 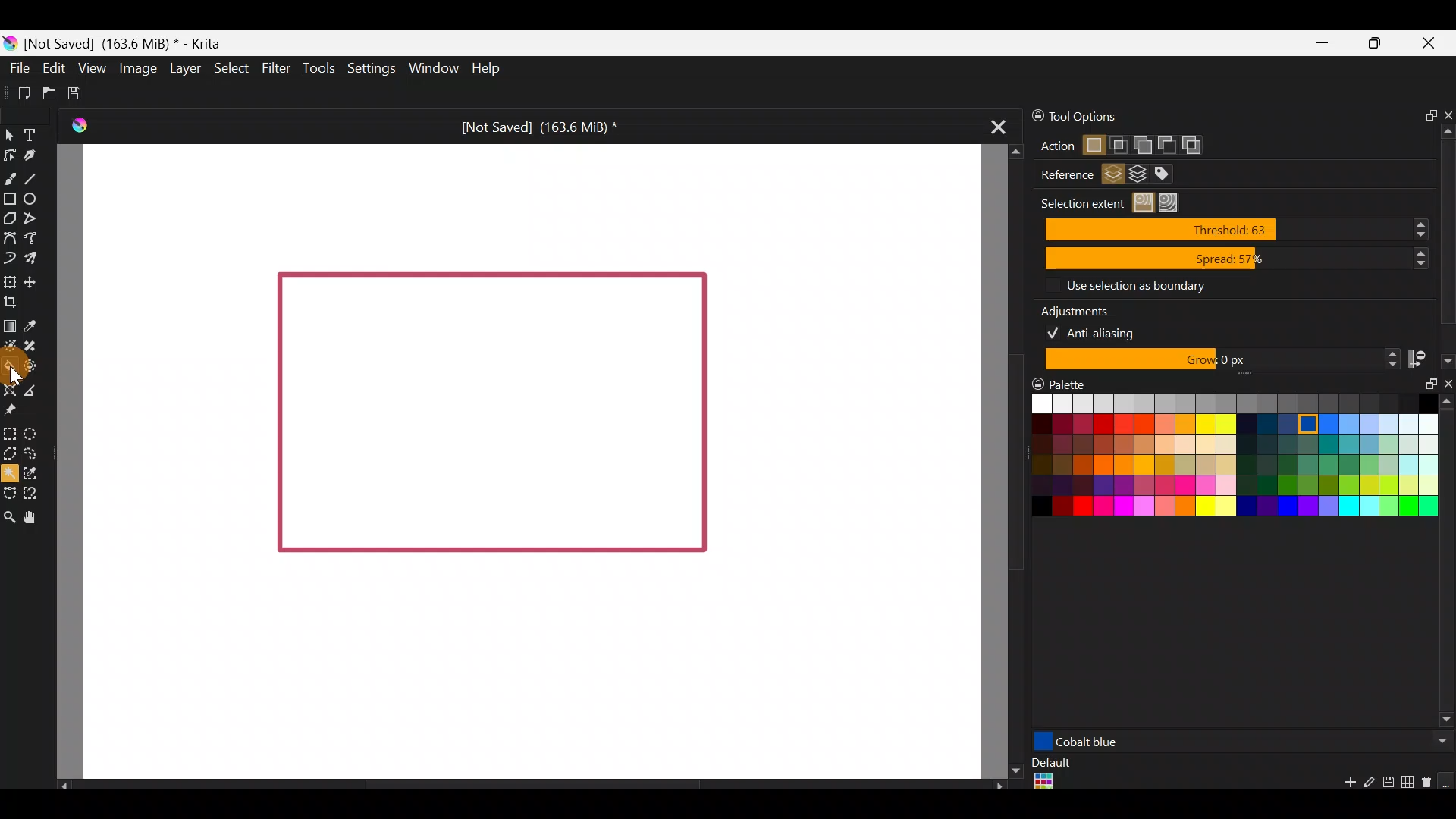 I want to click on Select all regions until a specific boundary colour, so click(x=1172, y=202).